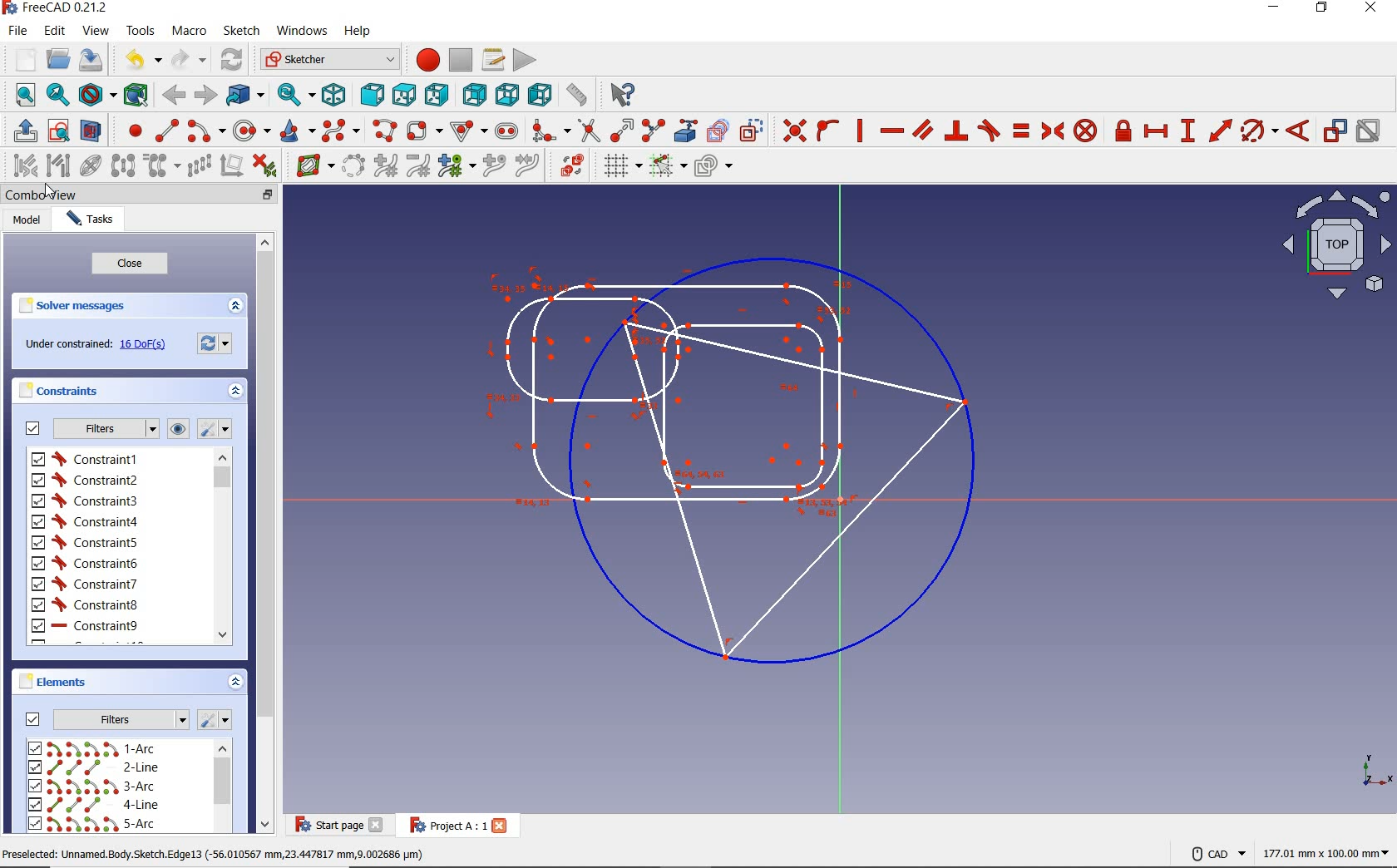 The height and width of the screenshot is (868, 1397). Describe the element at coordinates (522, 62) in the screenshot. I see `execute macro` at that location.